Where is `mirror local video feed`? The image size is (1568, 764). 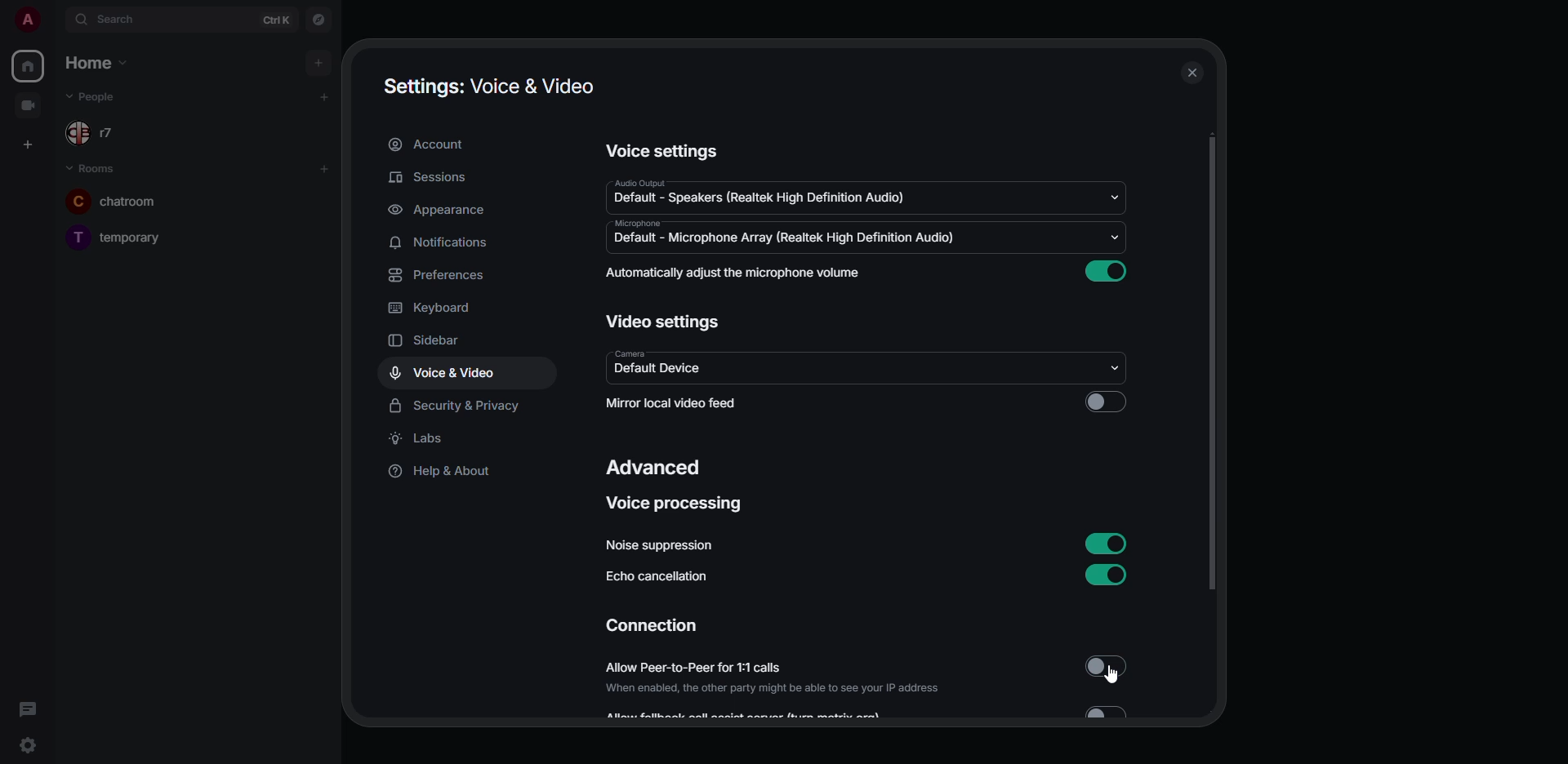
mirror local video feed is located at coordinates (668, 402).